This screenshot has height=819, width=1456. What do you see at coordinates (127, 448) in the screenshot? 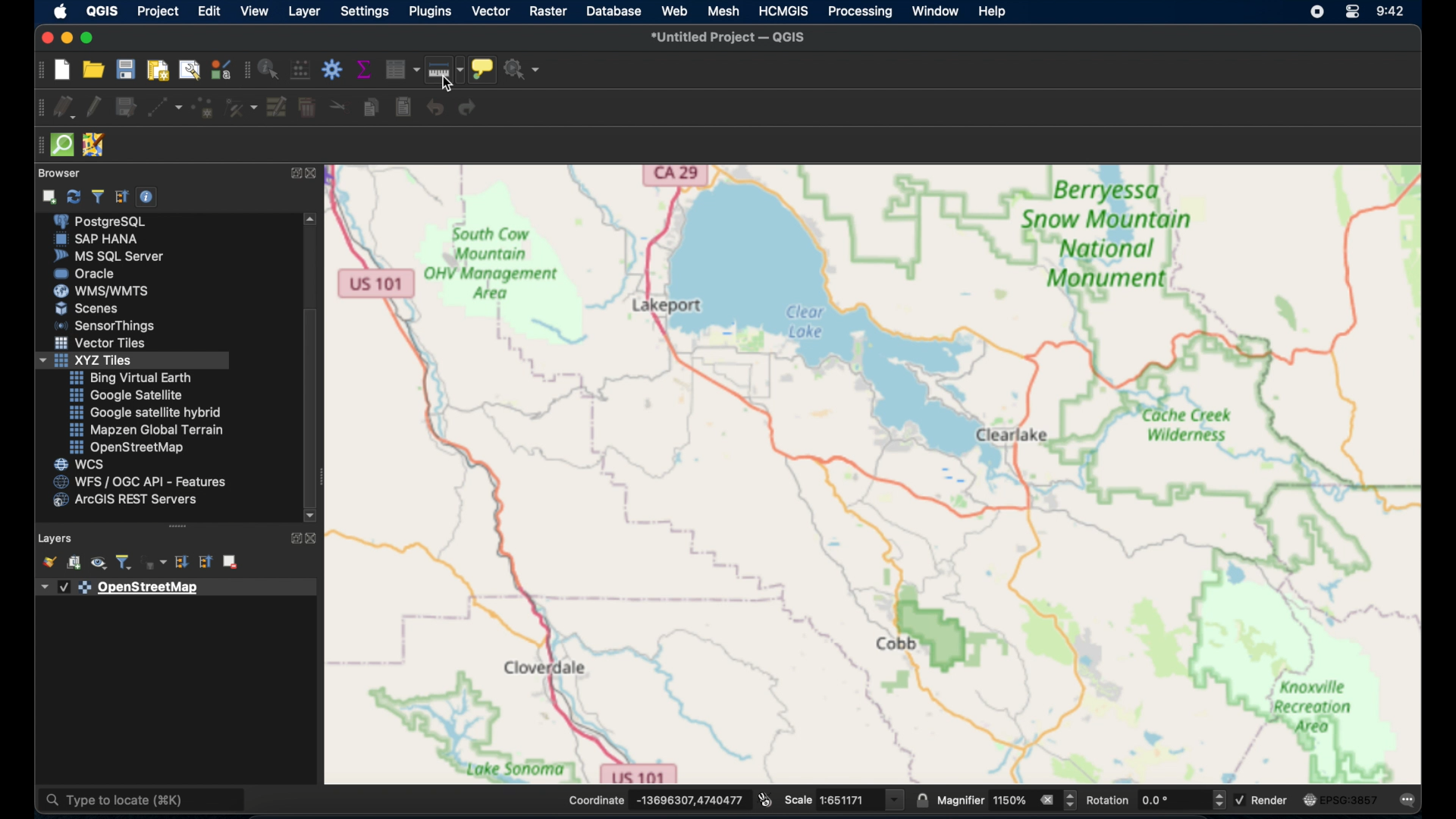
I see `openstreetmap` at bounding box center [127, 448].